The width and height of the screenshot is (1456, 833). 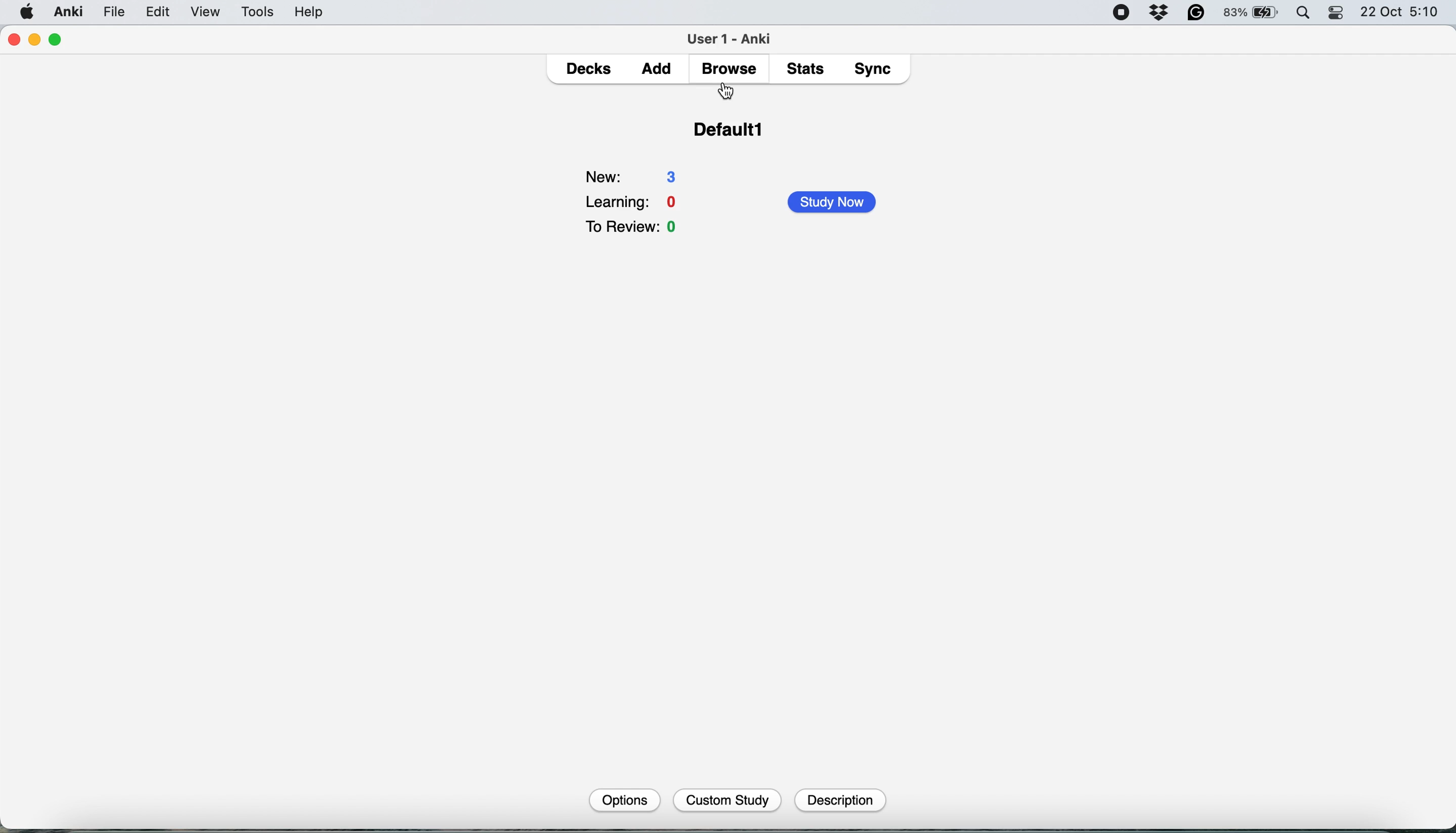 I want to click on close, so click(x=13, y=40).